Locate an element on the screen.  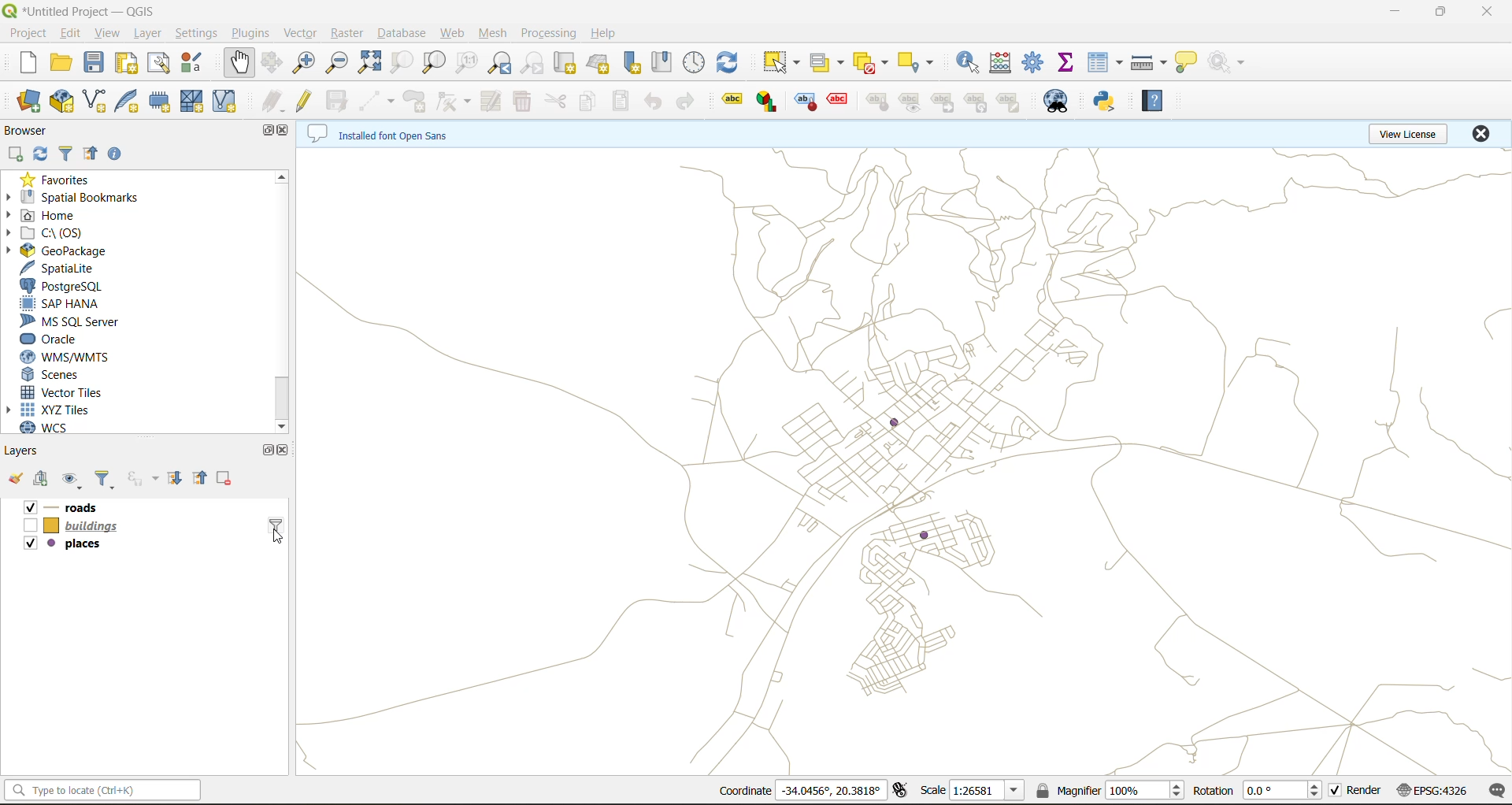
settings is located at coordinates (197, 35).